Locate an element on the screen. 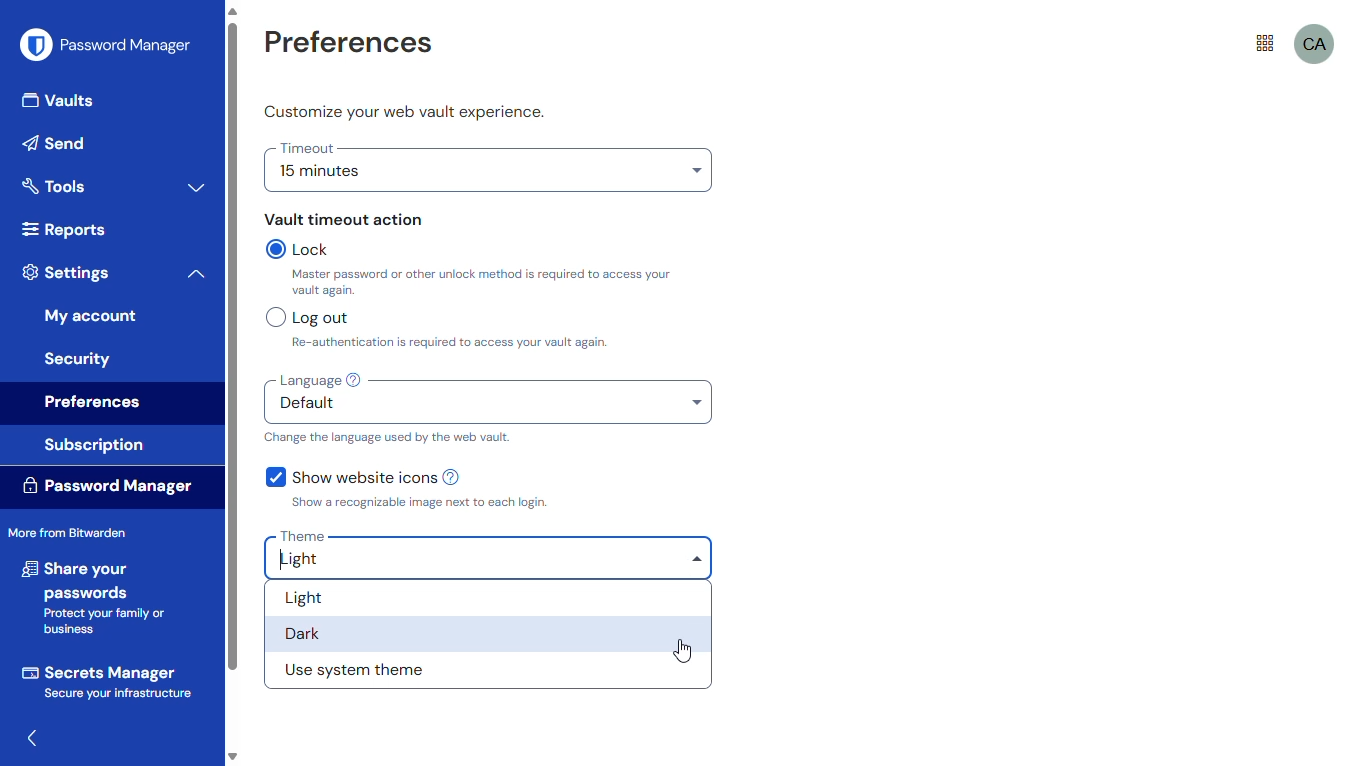 The width and height of the screenshot is (1366, 766). vault timeout action is located at coordinates (344, 219).